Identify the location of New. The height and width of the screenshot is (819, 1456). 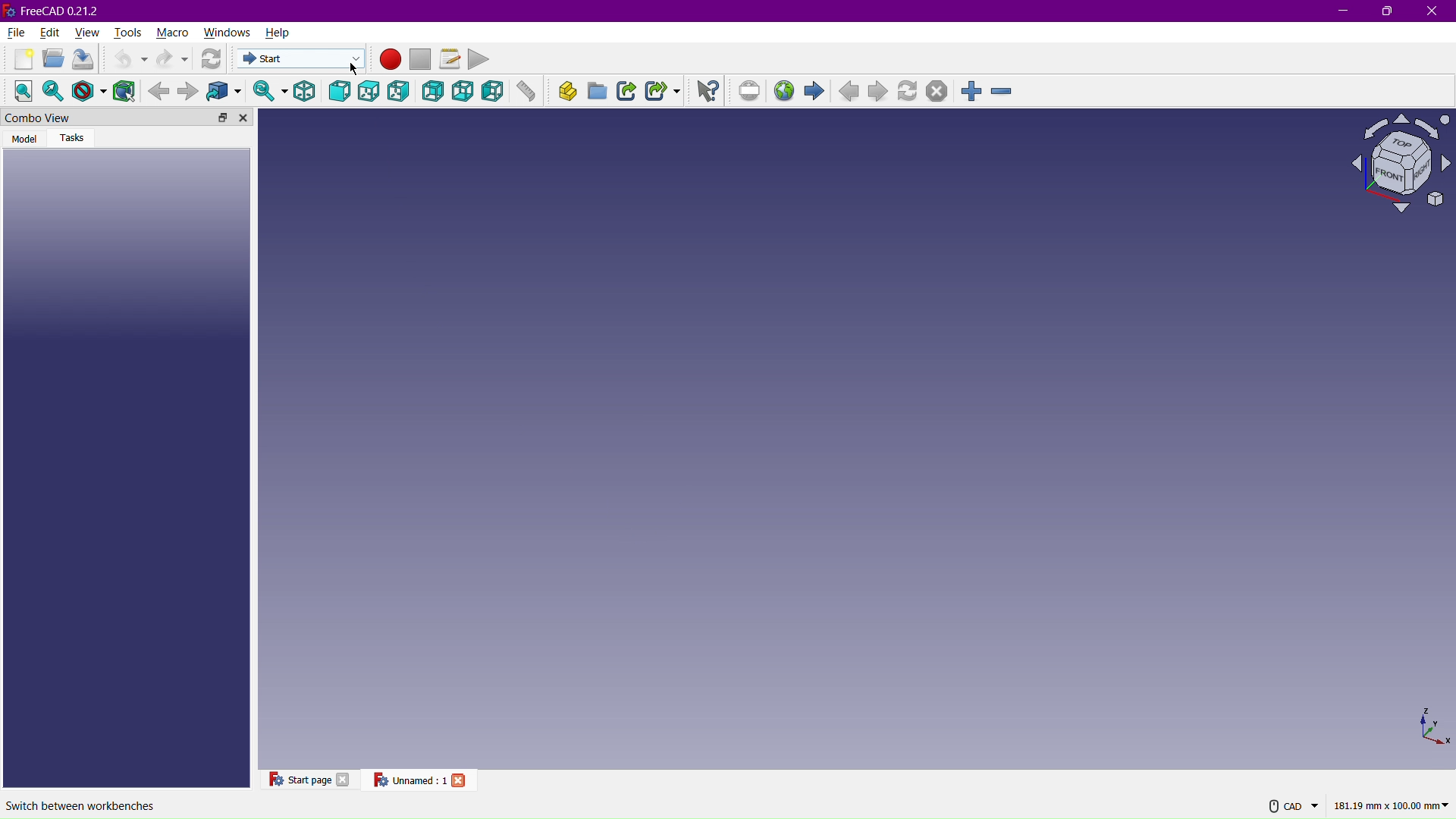
(21, 58).